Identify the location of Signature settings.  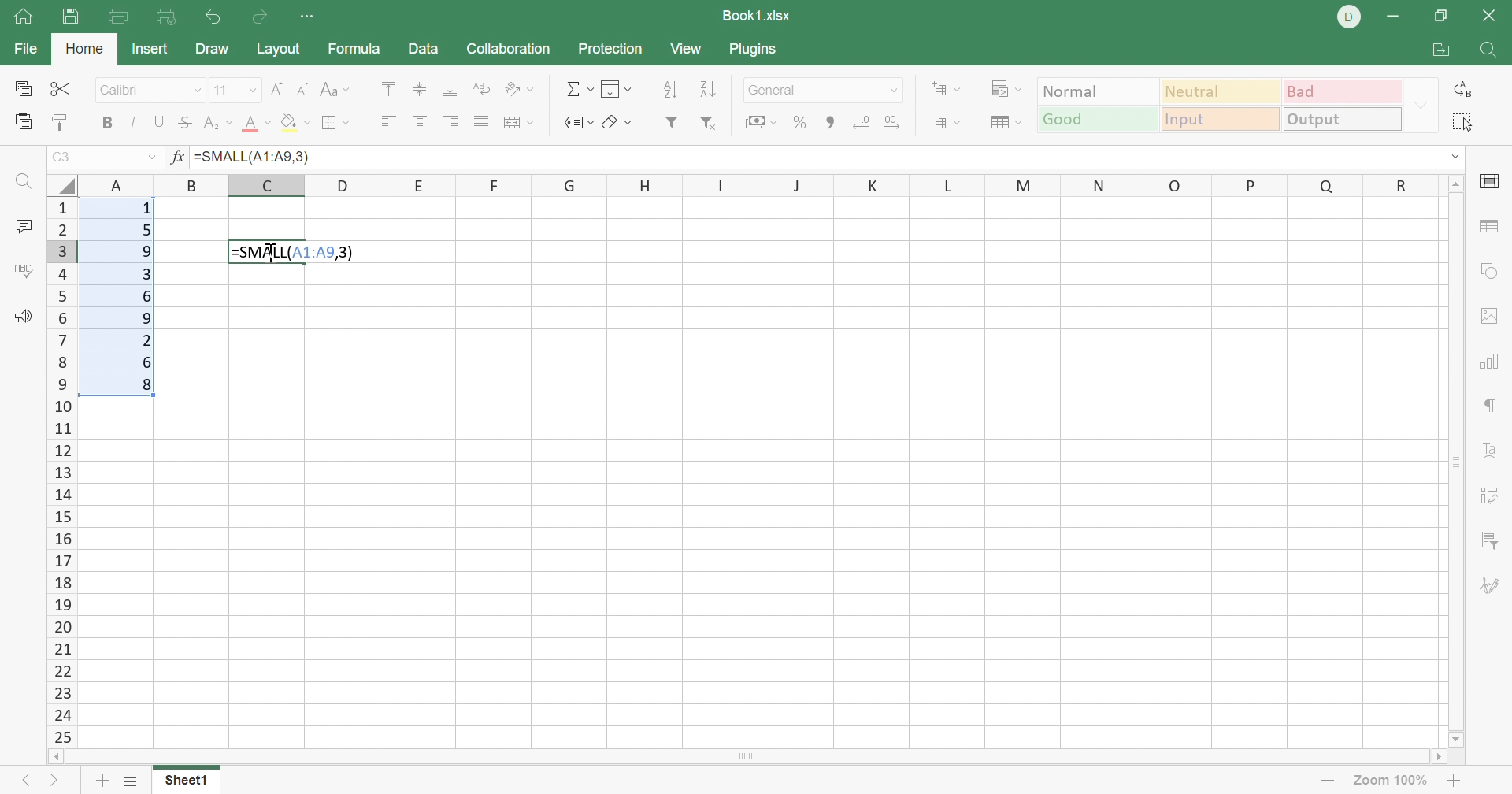
(1492, 589).